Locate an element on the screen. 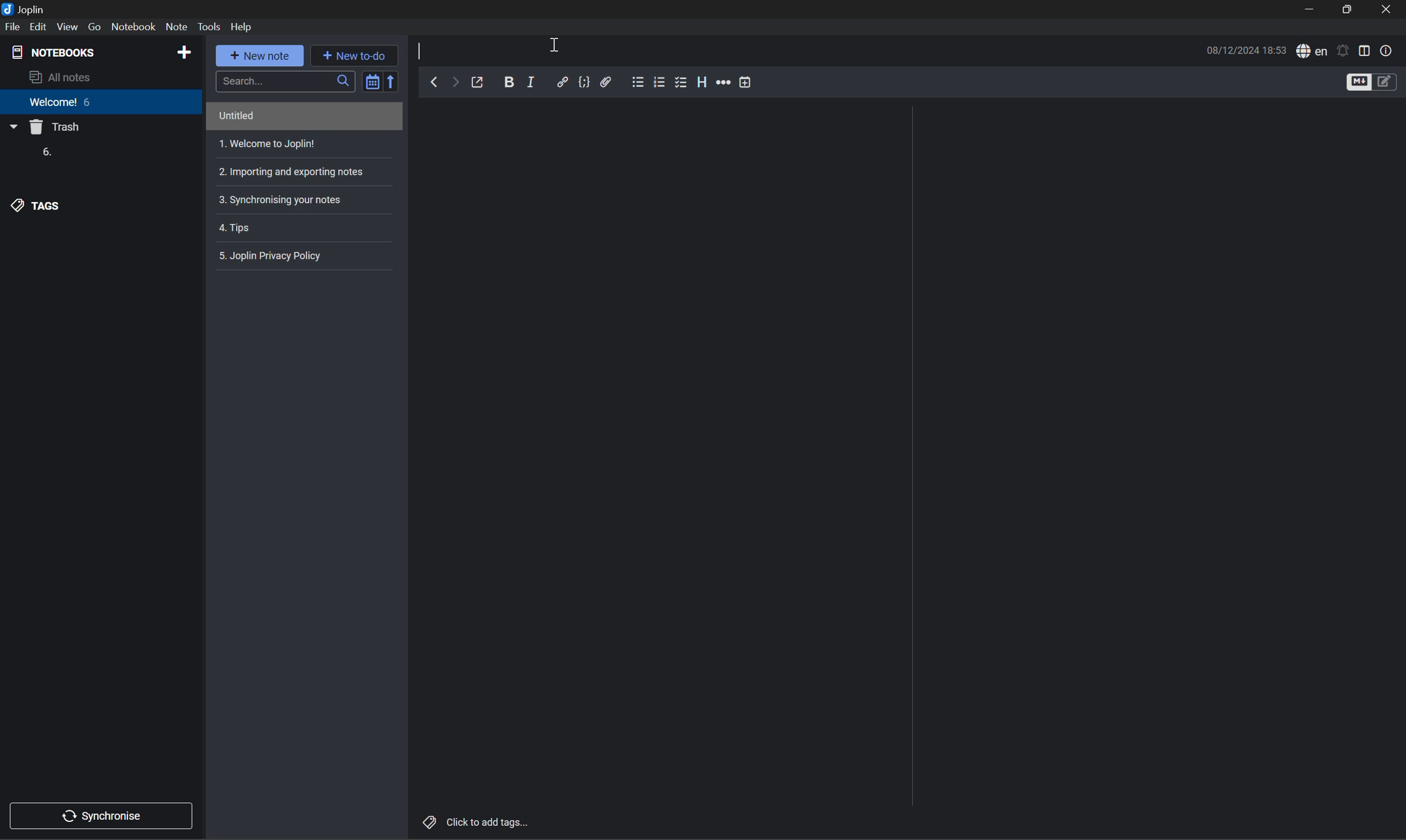 This screenshot has height=840, width=1406. Set alarm is located at coordinates (1342, 50).